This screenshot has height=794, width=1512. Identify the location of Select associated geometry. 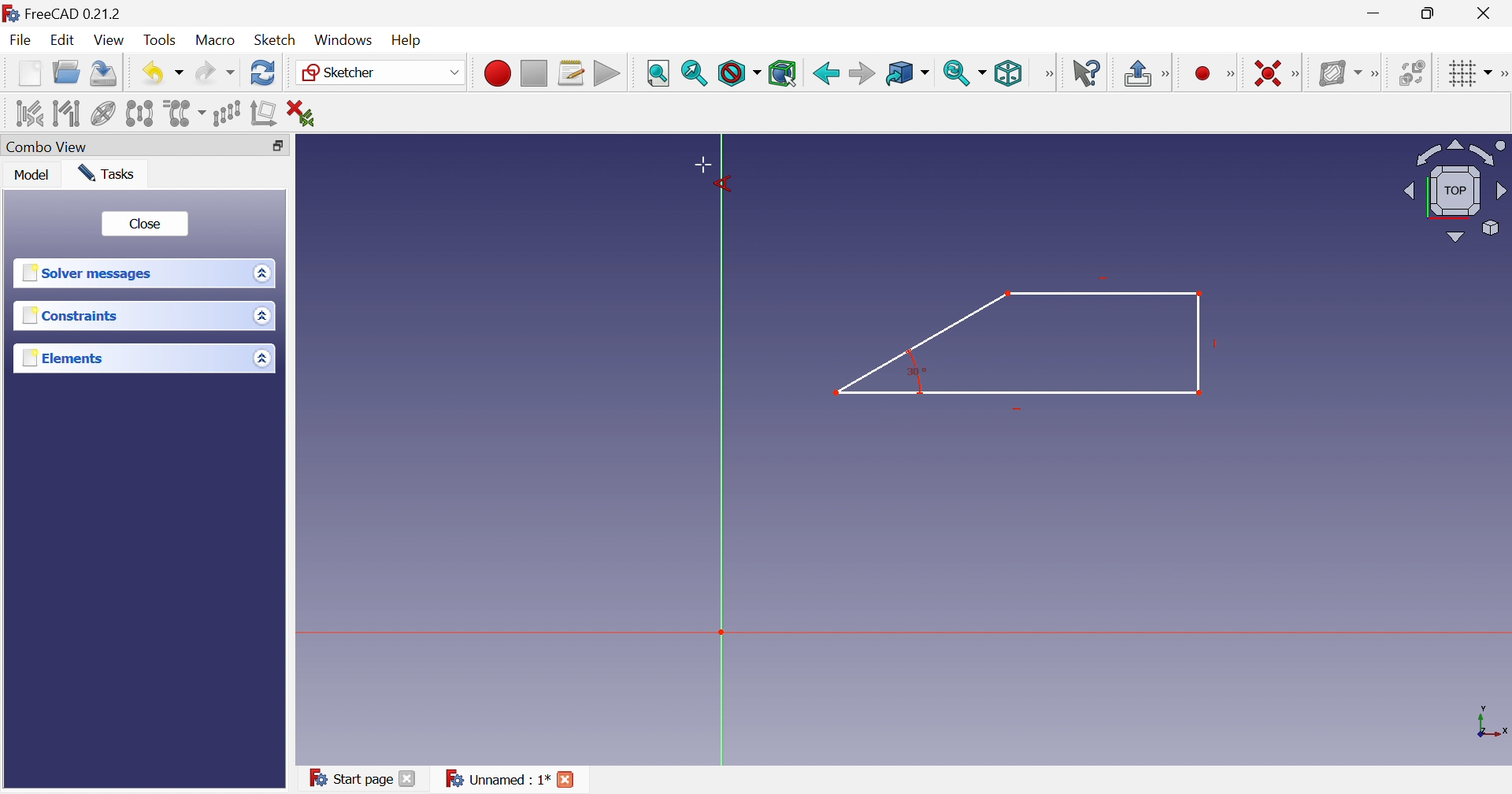
(65, 113).